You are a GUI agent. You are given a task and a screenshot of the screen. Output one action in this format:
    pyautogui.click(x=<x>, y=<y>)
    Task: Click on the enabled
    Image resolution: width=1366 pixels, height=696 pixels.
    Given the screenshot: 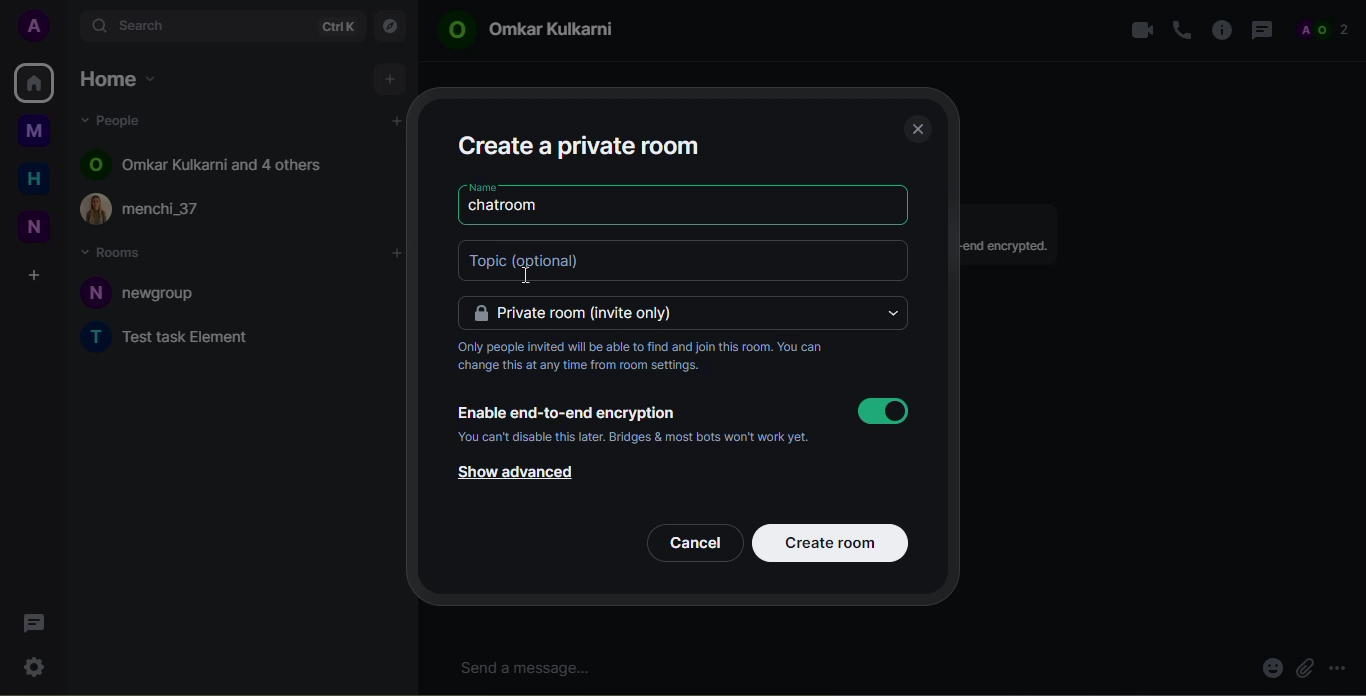 What is the action you would take?
    pyautogui.click(x=882, y=411)
    